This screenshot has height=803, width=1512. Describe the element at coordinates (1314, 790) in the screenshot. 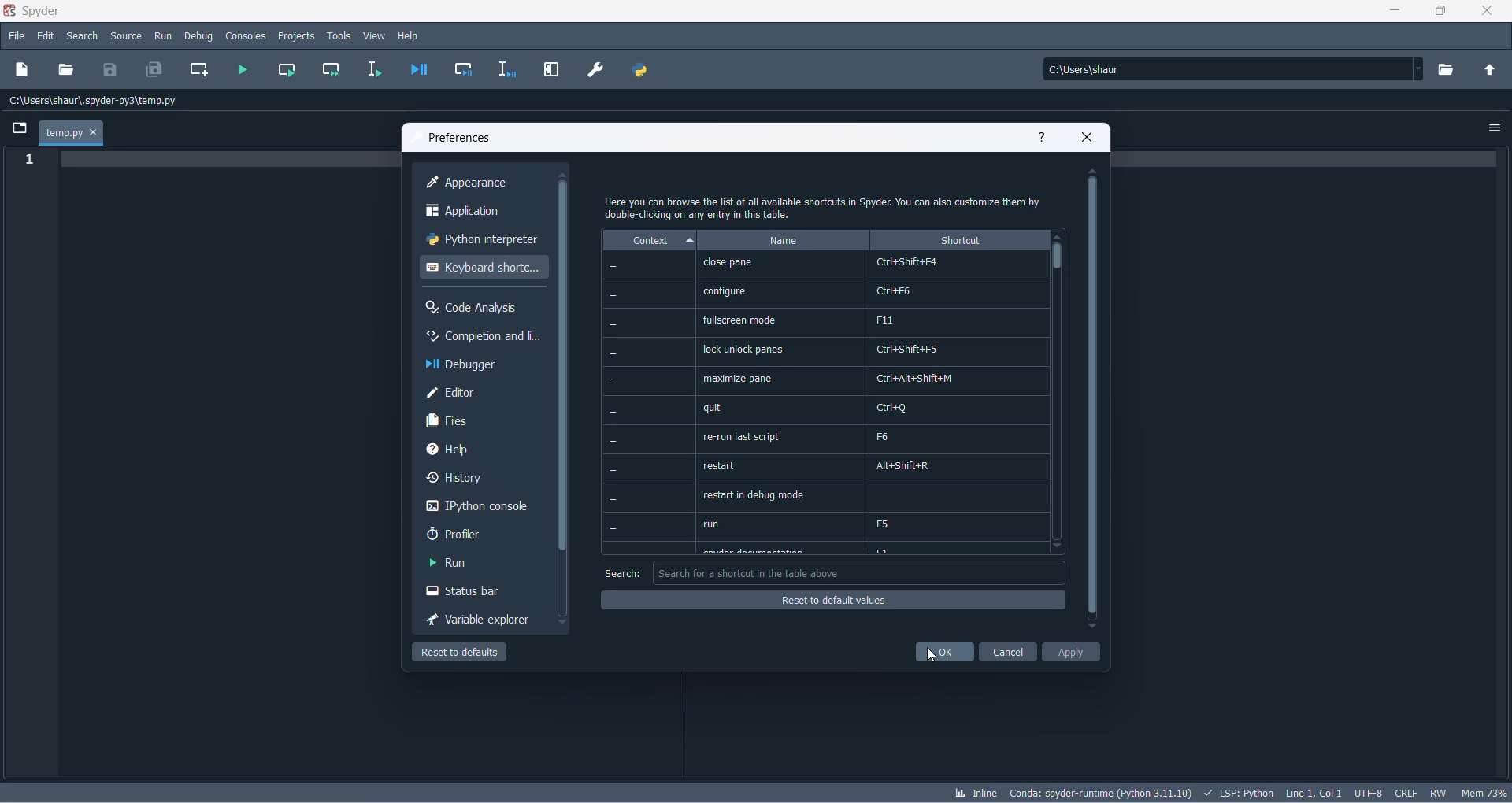

I see `line and column number` at that location.